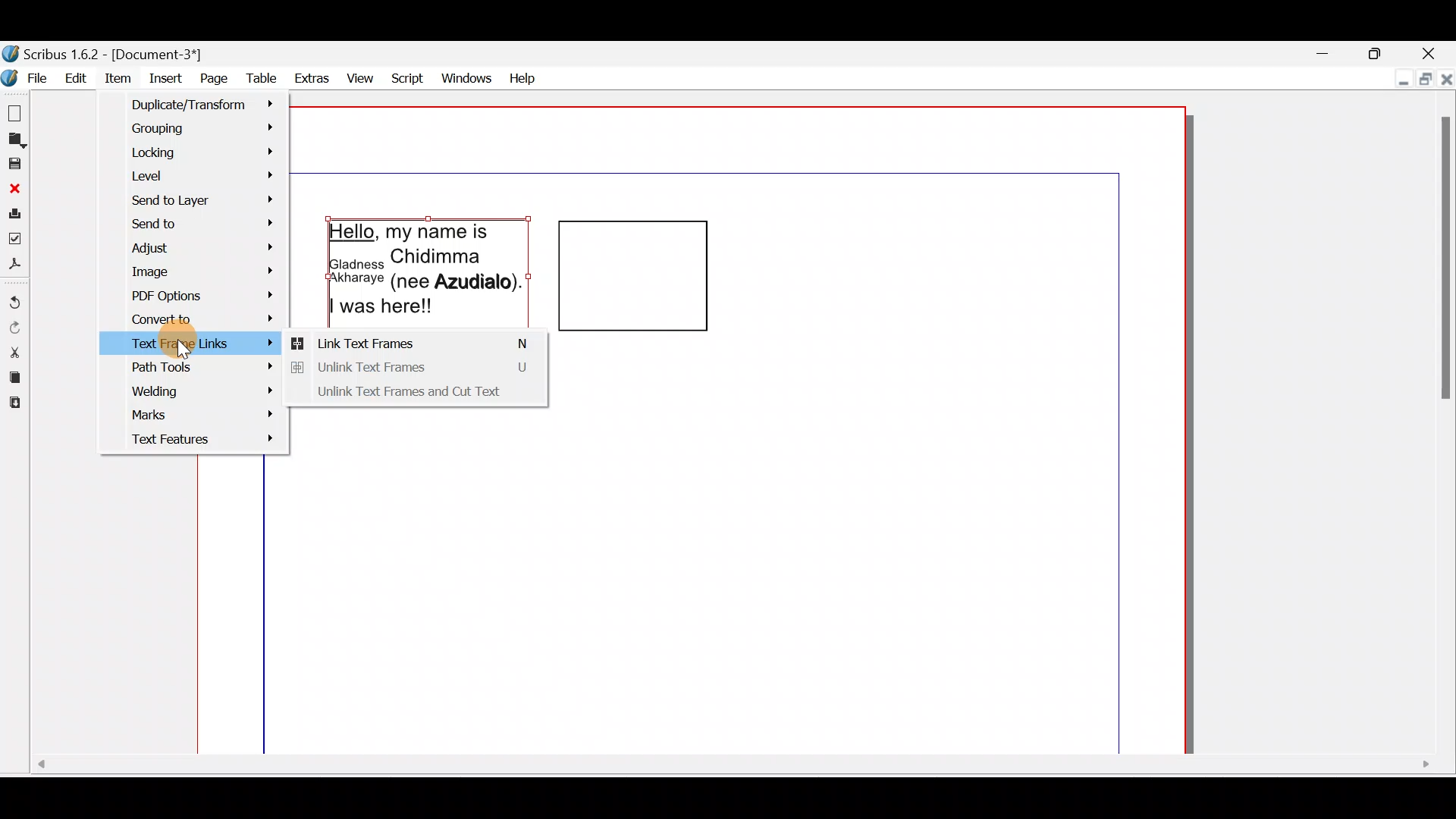 This screenshot has height=819, width=1456. I want to click on Send to, so click(202, 225).